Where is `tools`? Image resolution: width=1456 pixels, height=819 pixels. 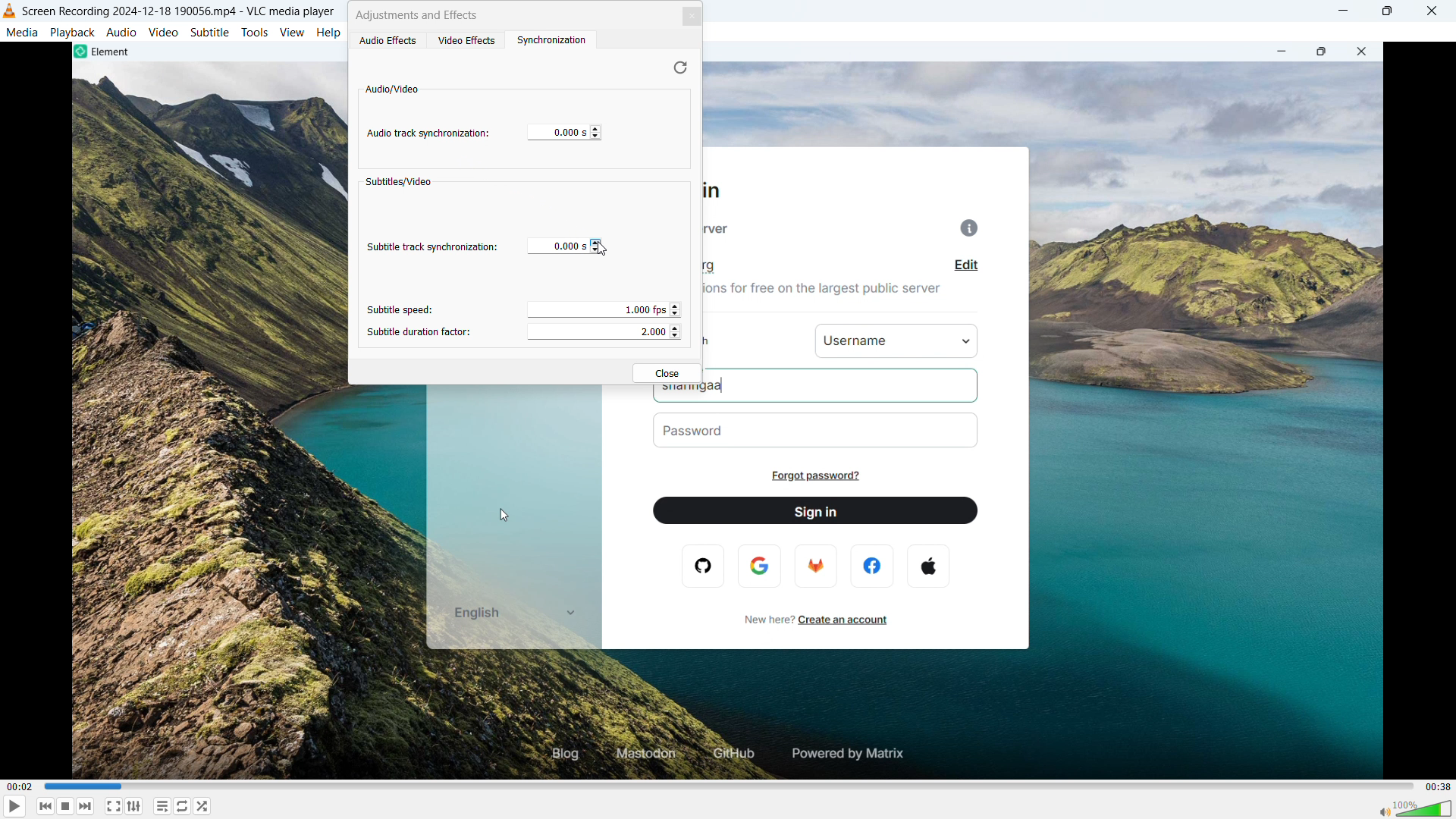 tools is located at coordinates (255, 33).